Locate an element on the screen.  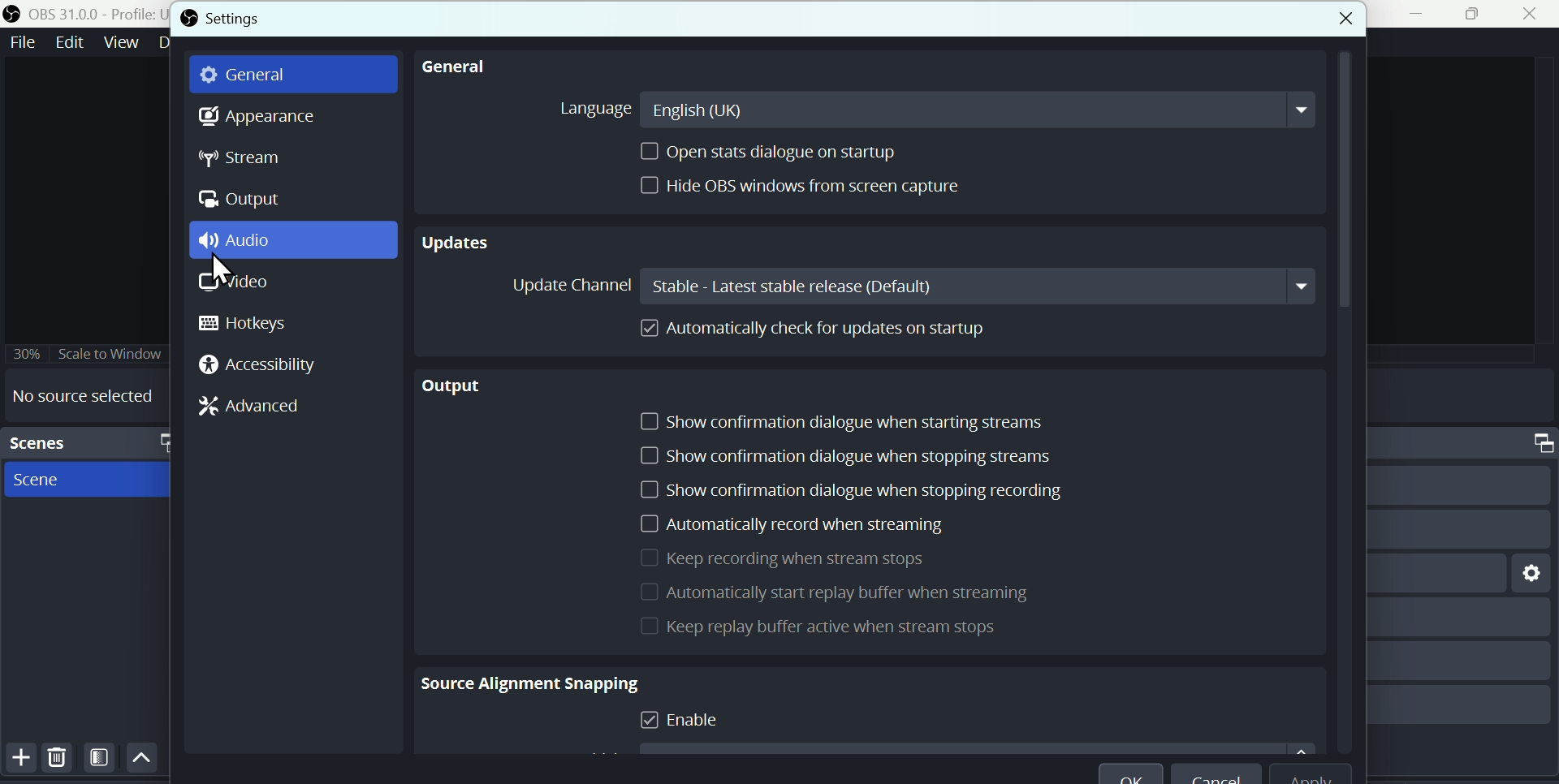
Edit is located at coordinates (67, 42).